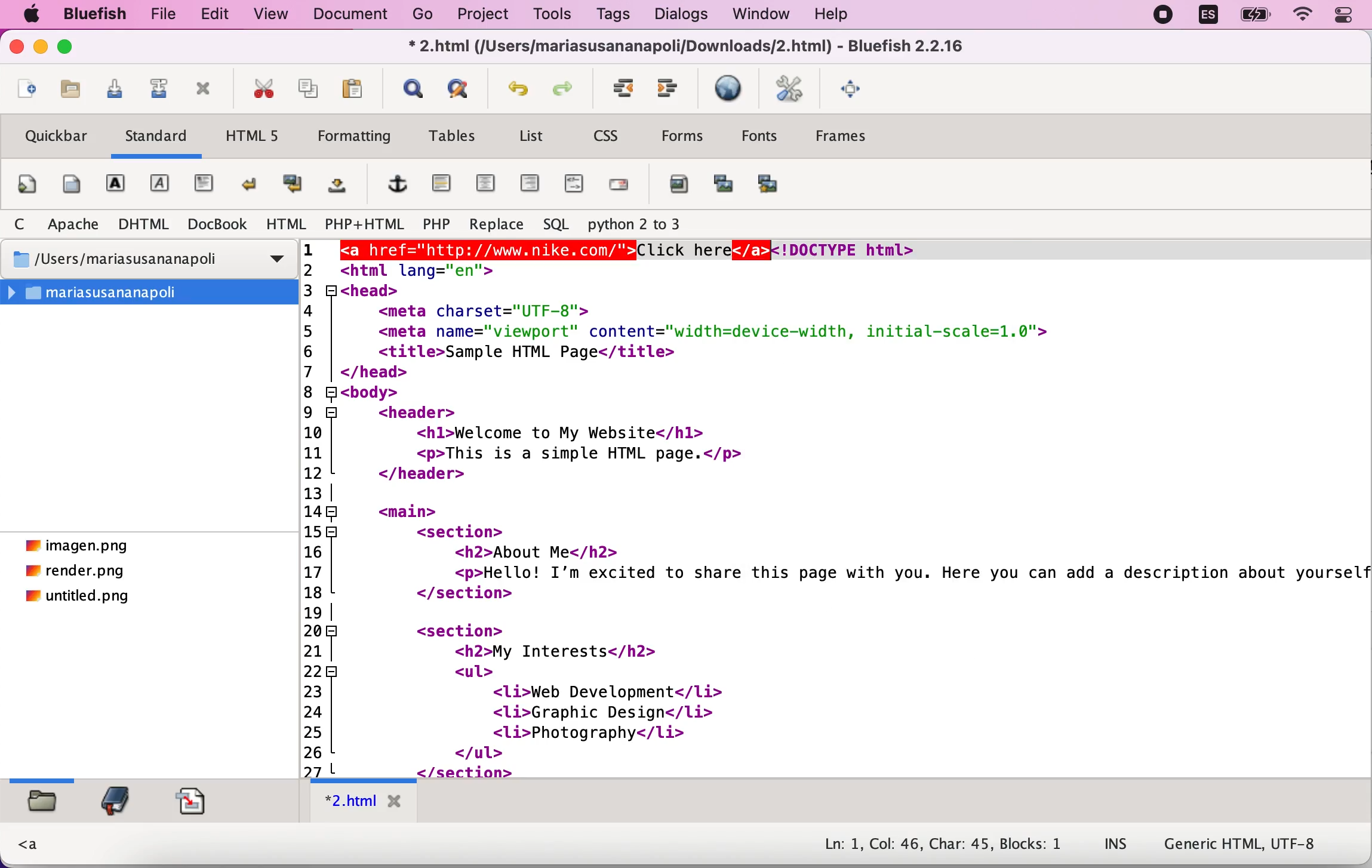 This screenshot has height=868, width=1372. I want to click on help, so click(839, 14).